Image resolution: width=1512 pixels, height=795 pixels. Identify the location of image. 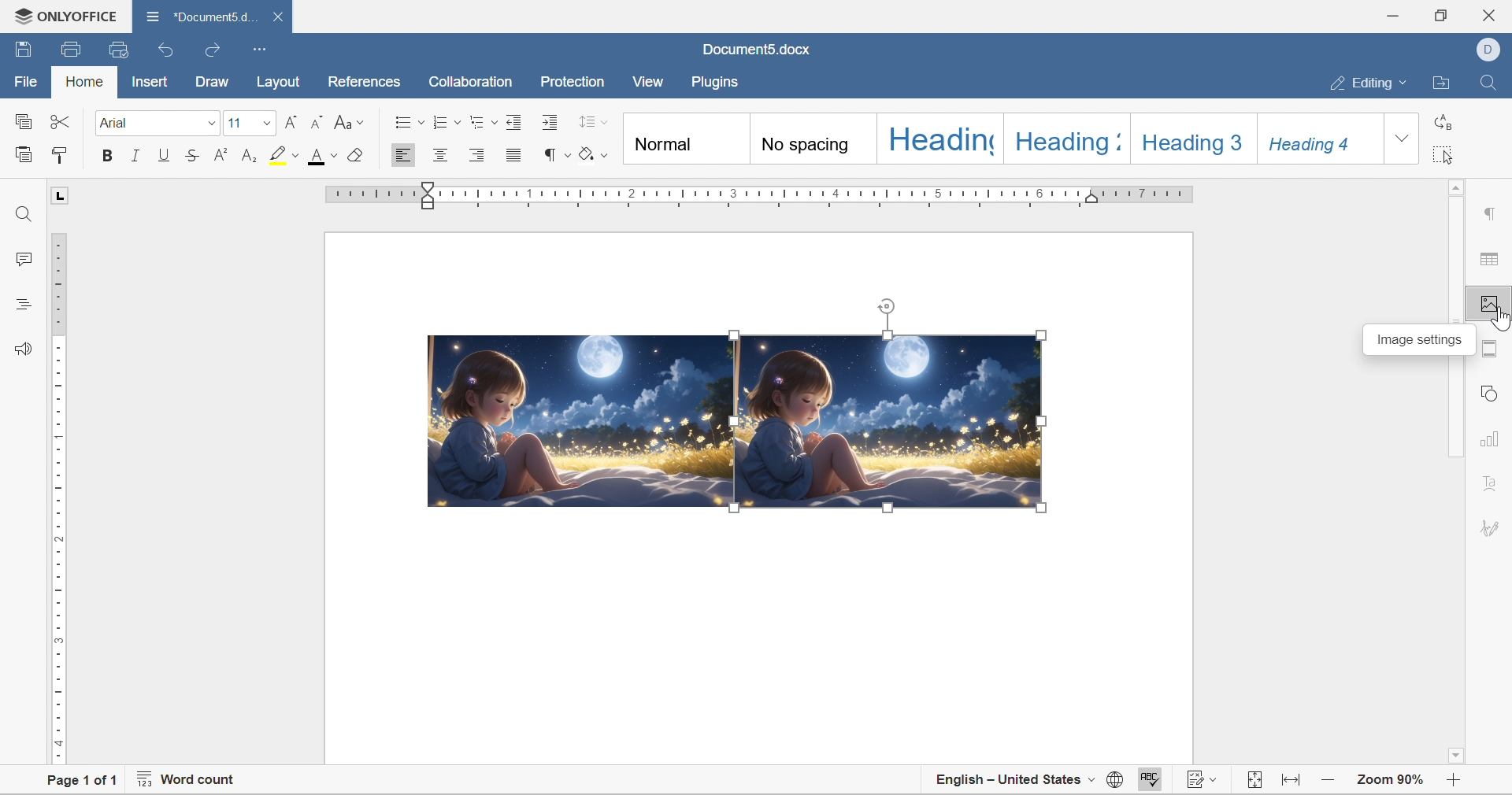
(584, 422).